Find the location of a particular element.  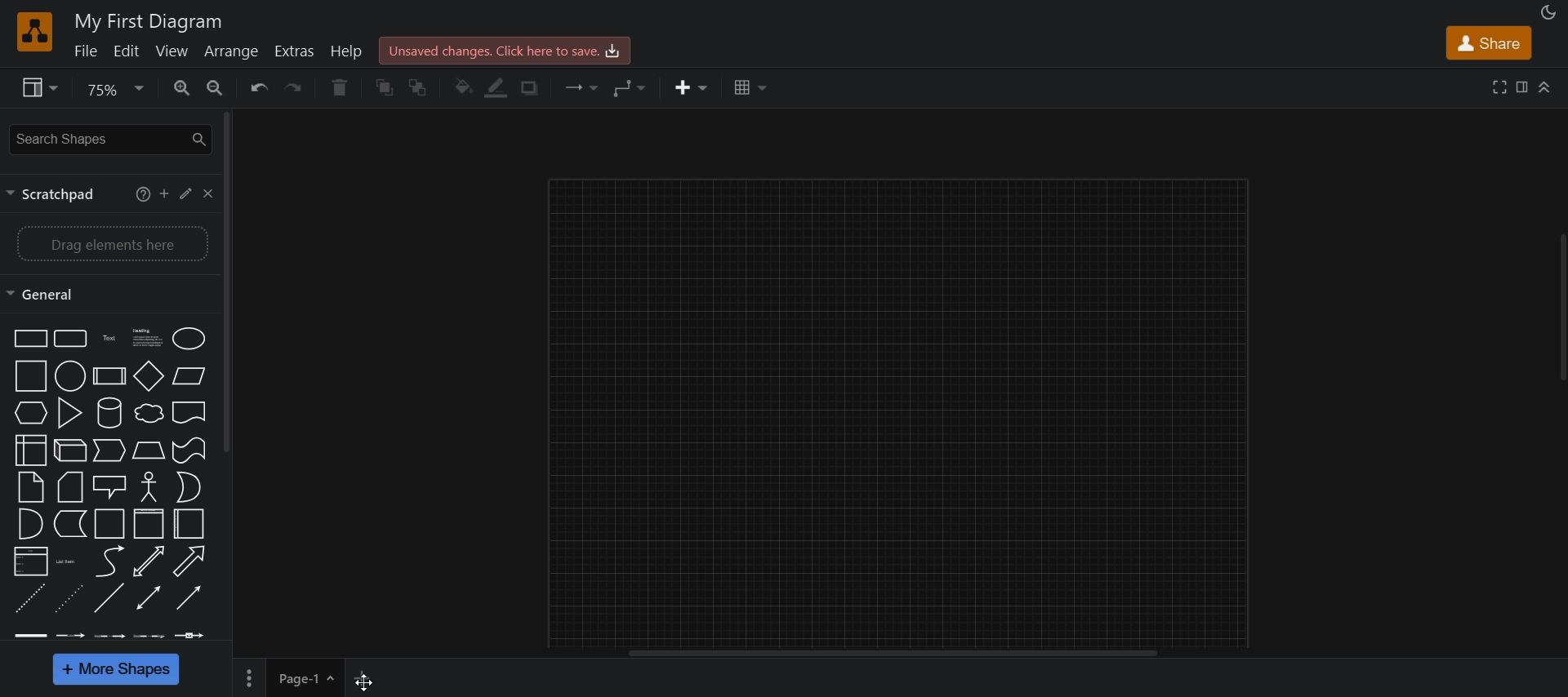

appearance is located at coordinates (1548, 13).